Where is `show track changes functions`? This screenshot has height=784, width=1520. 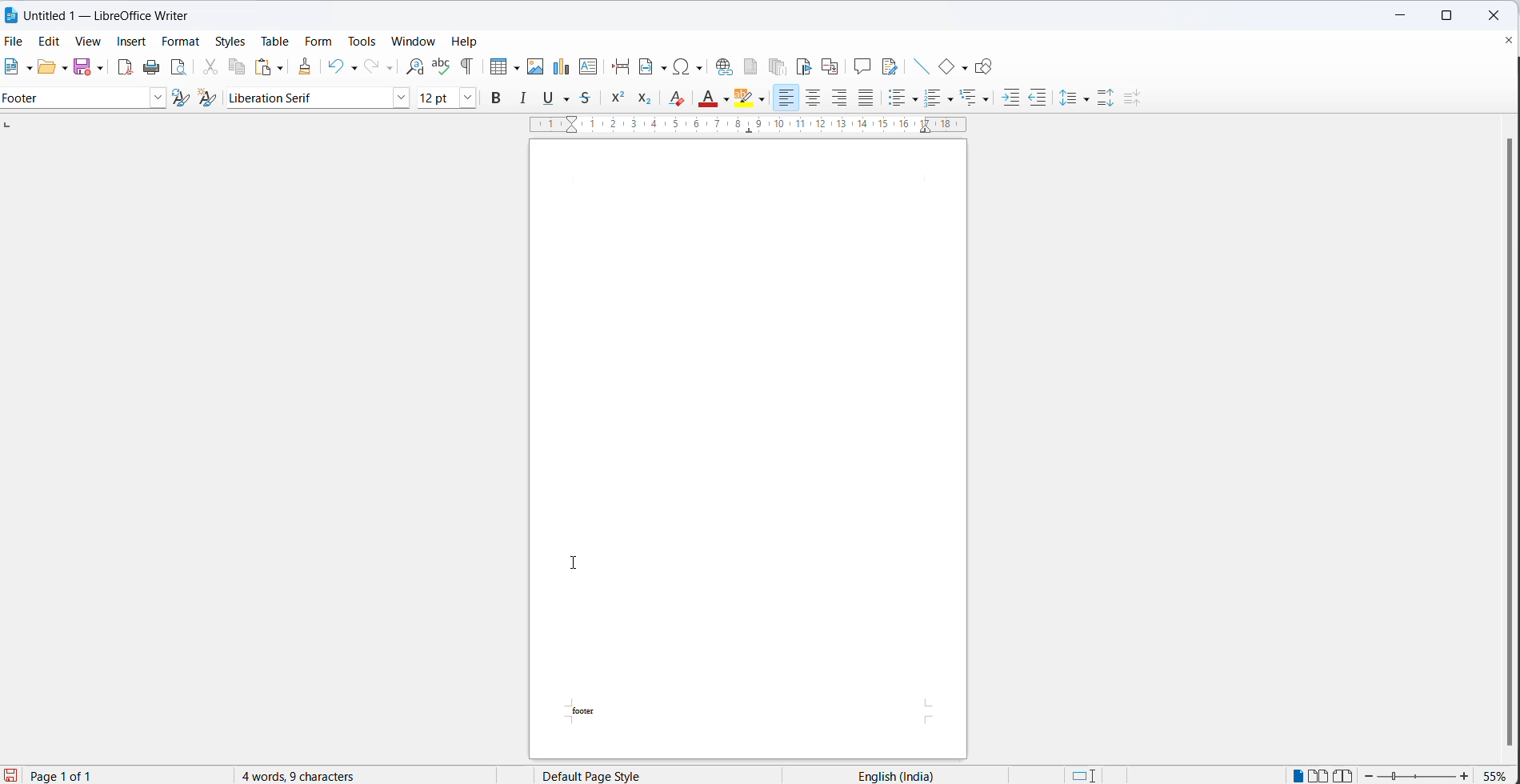 show track changes functions is located at coordinates (889, 66).